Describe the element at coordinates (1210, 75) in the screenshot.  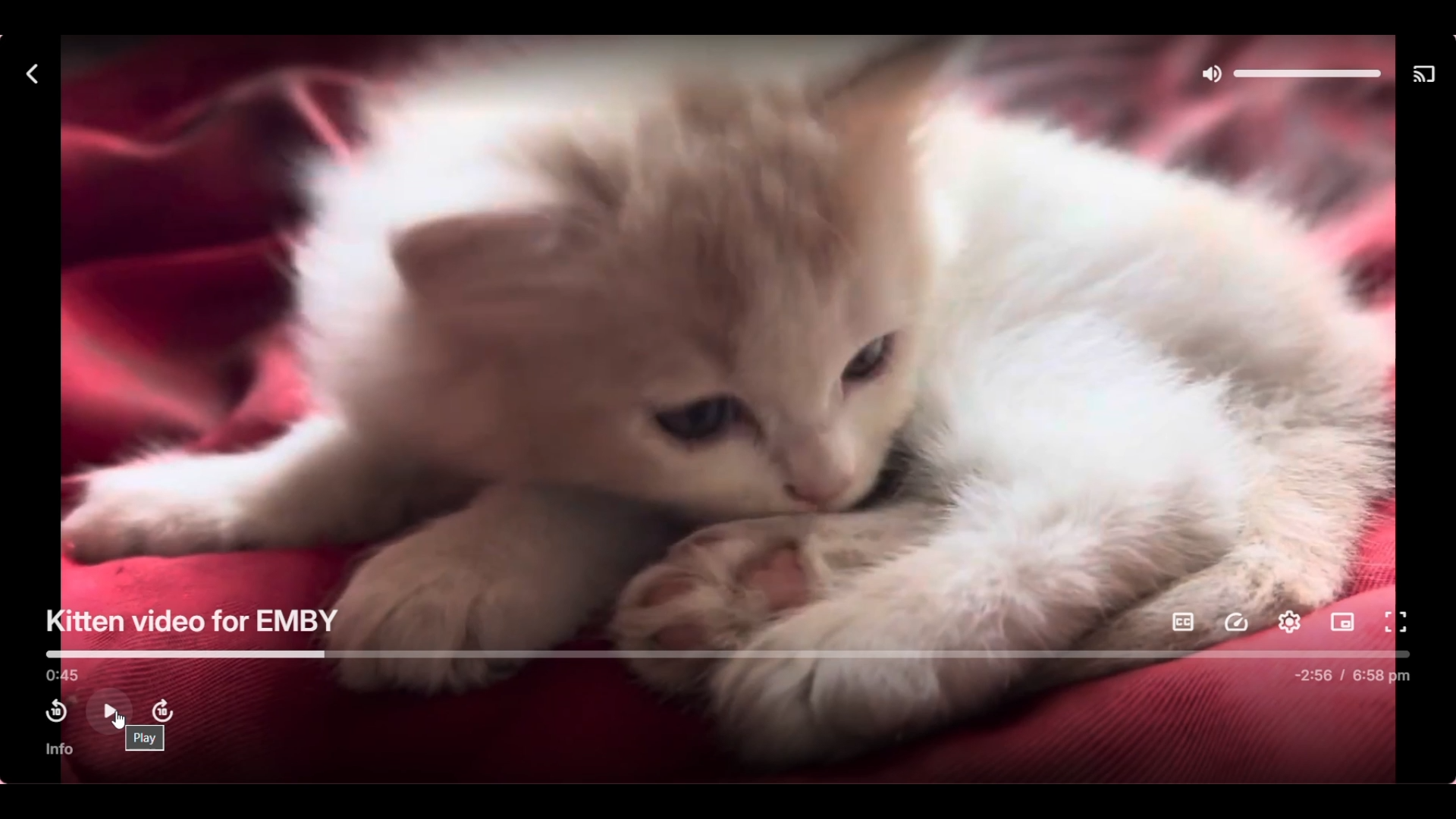
I see `Mute` at that location.